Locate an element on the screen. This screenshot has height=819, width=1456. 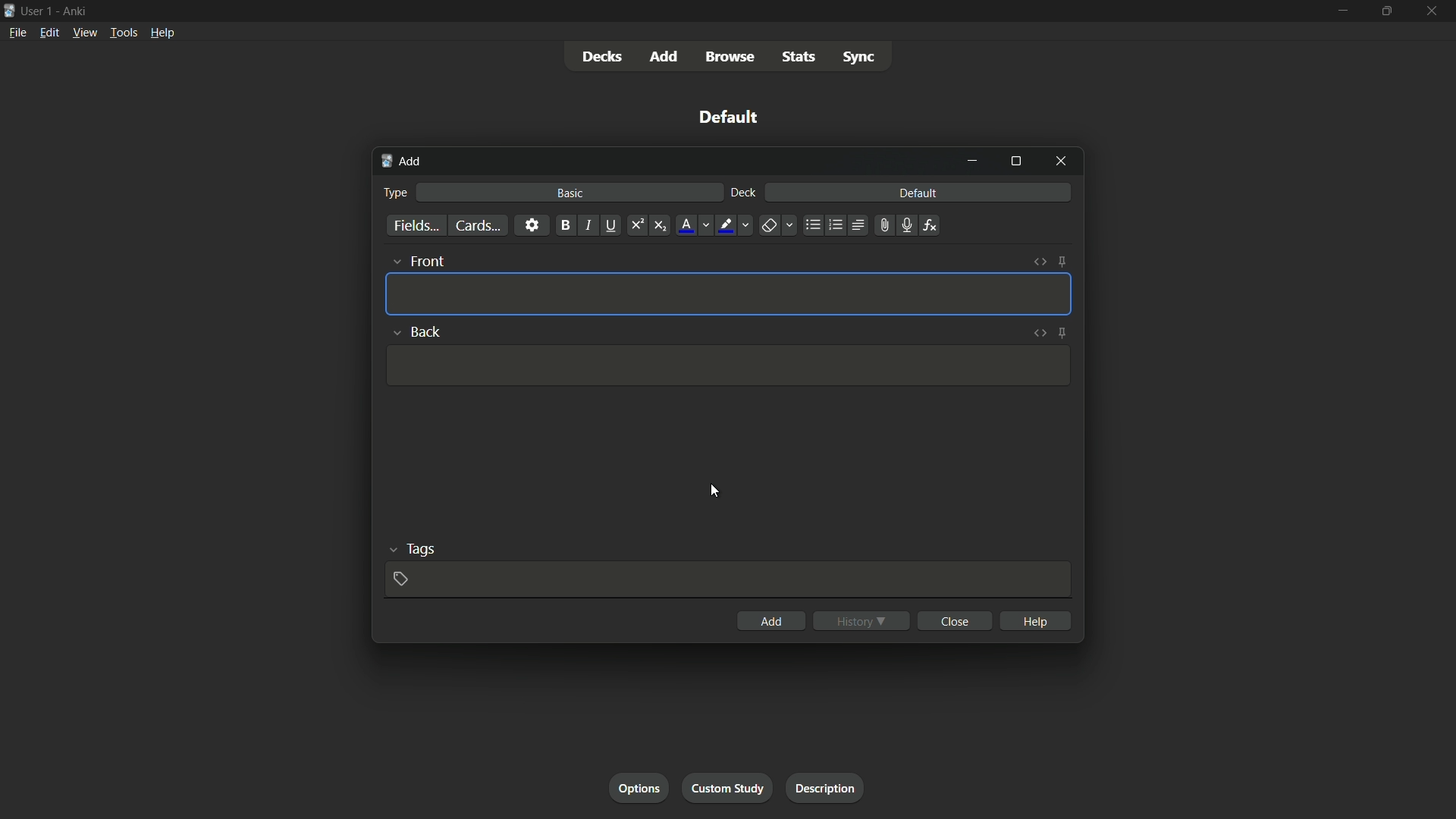
unordered list is located at coordinates (814, 225).